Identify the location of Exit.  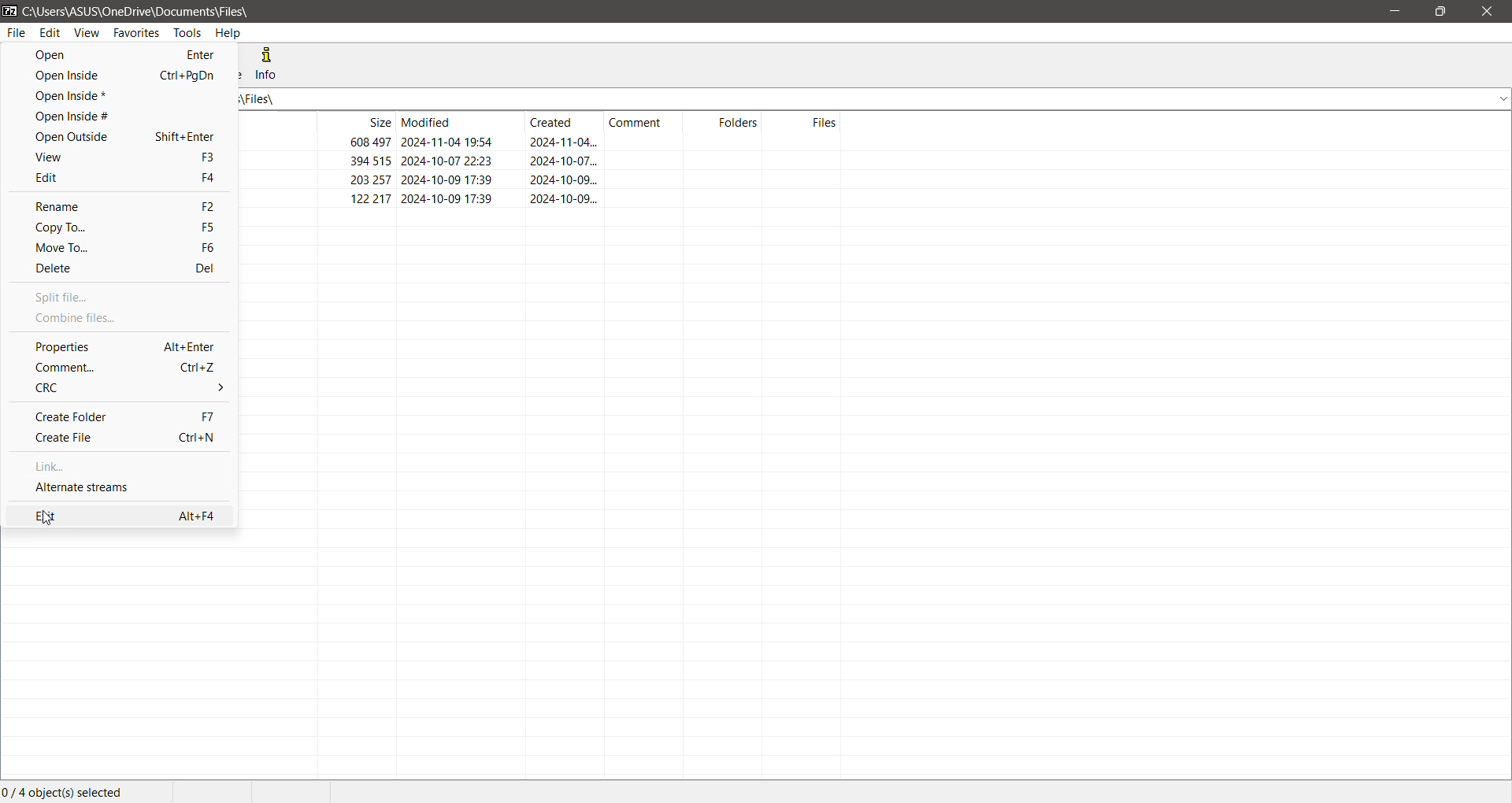
(124, 515).